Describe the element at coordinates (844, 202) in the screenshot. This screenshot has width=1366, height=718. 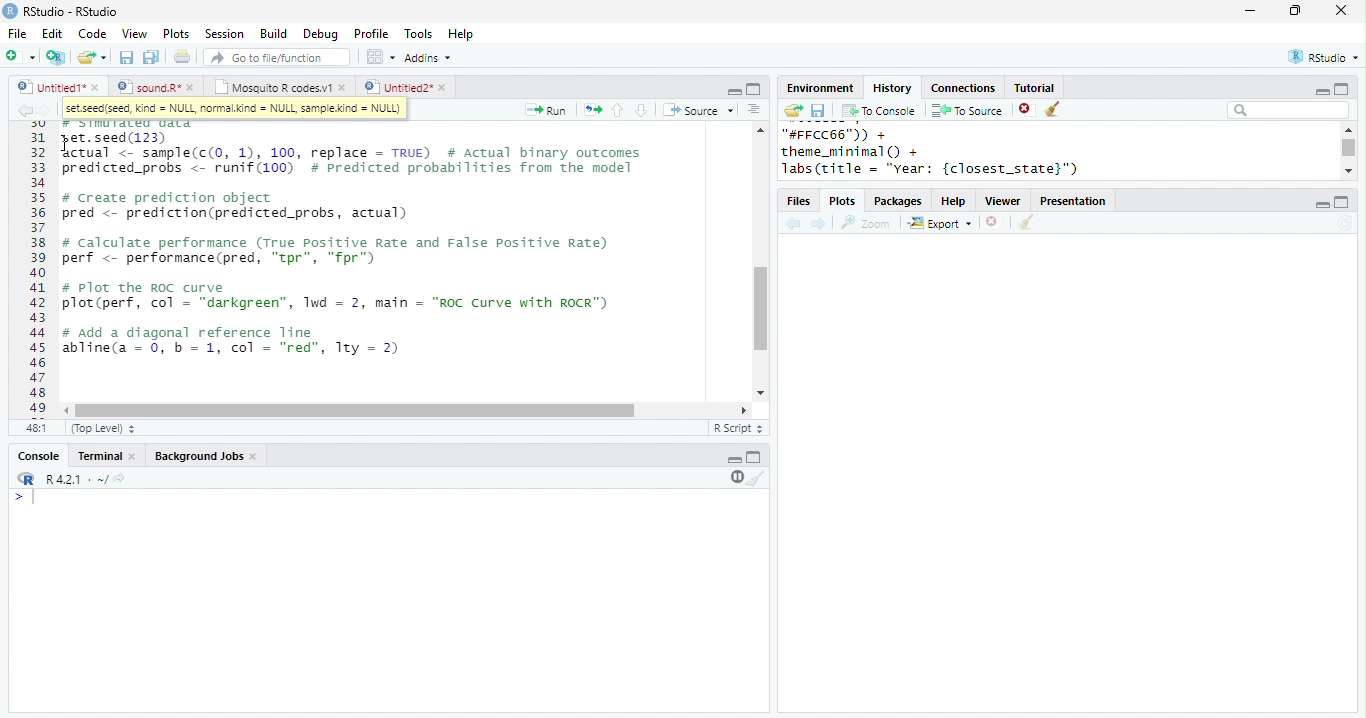
I see `Plots` at that location.